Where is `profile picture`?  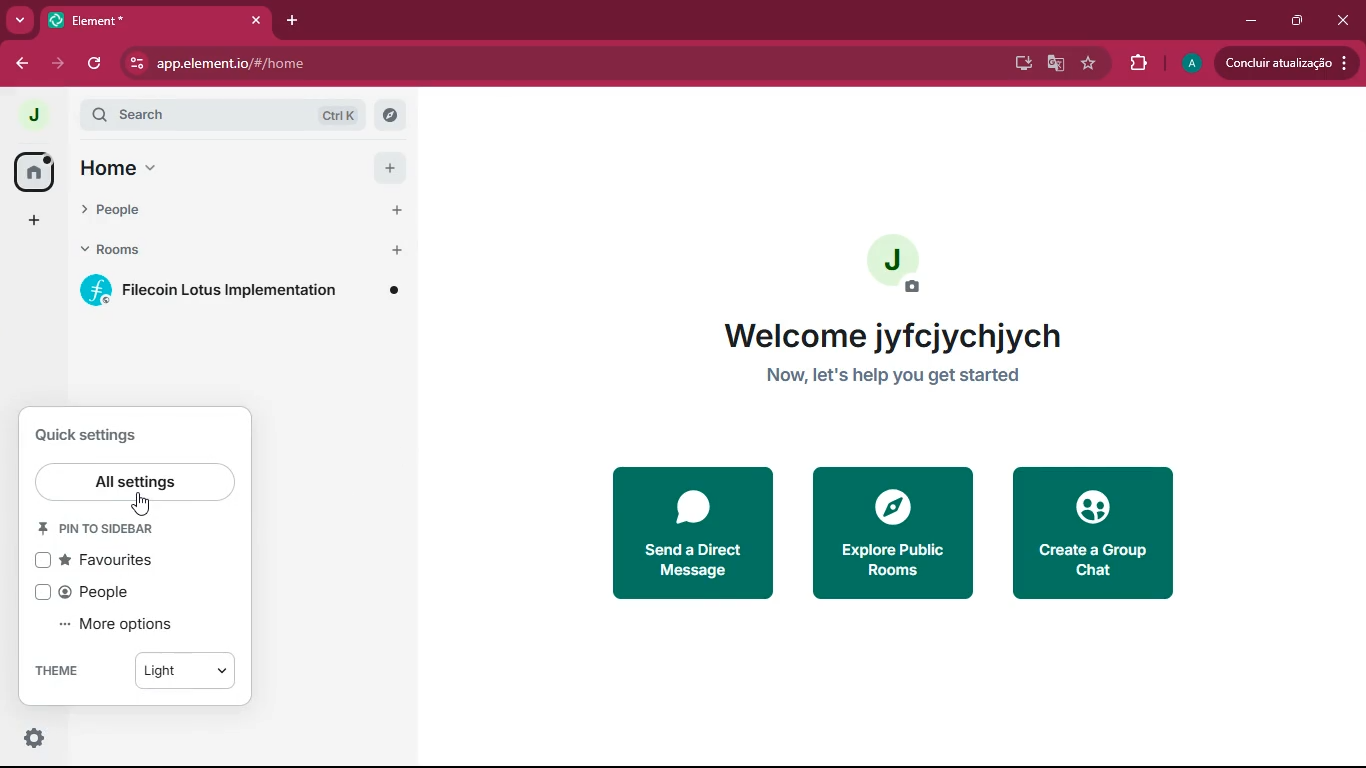 profile picture is located at coordinates (899, 264).